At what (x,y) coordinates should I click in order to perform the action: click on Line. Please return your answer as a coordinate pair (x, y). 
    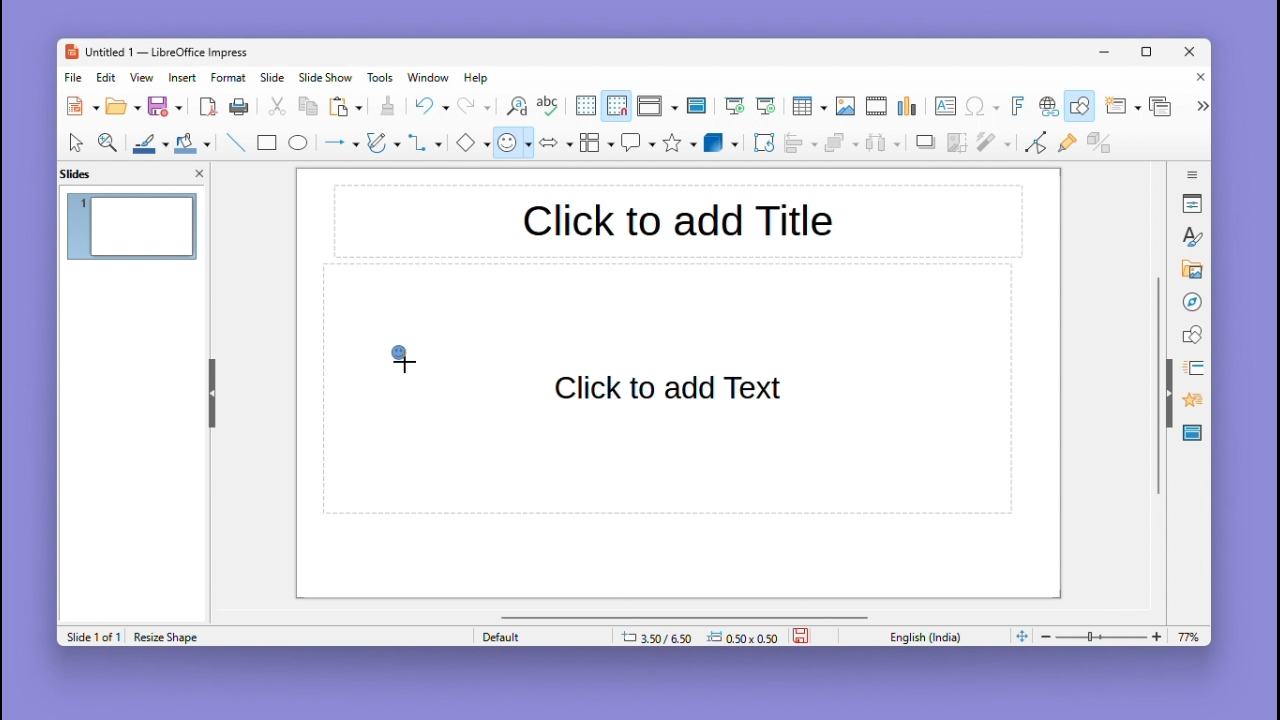
    Looking at the image, I should click on (234, 142).